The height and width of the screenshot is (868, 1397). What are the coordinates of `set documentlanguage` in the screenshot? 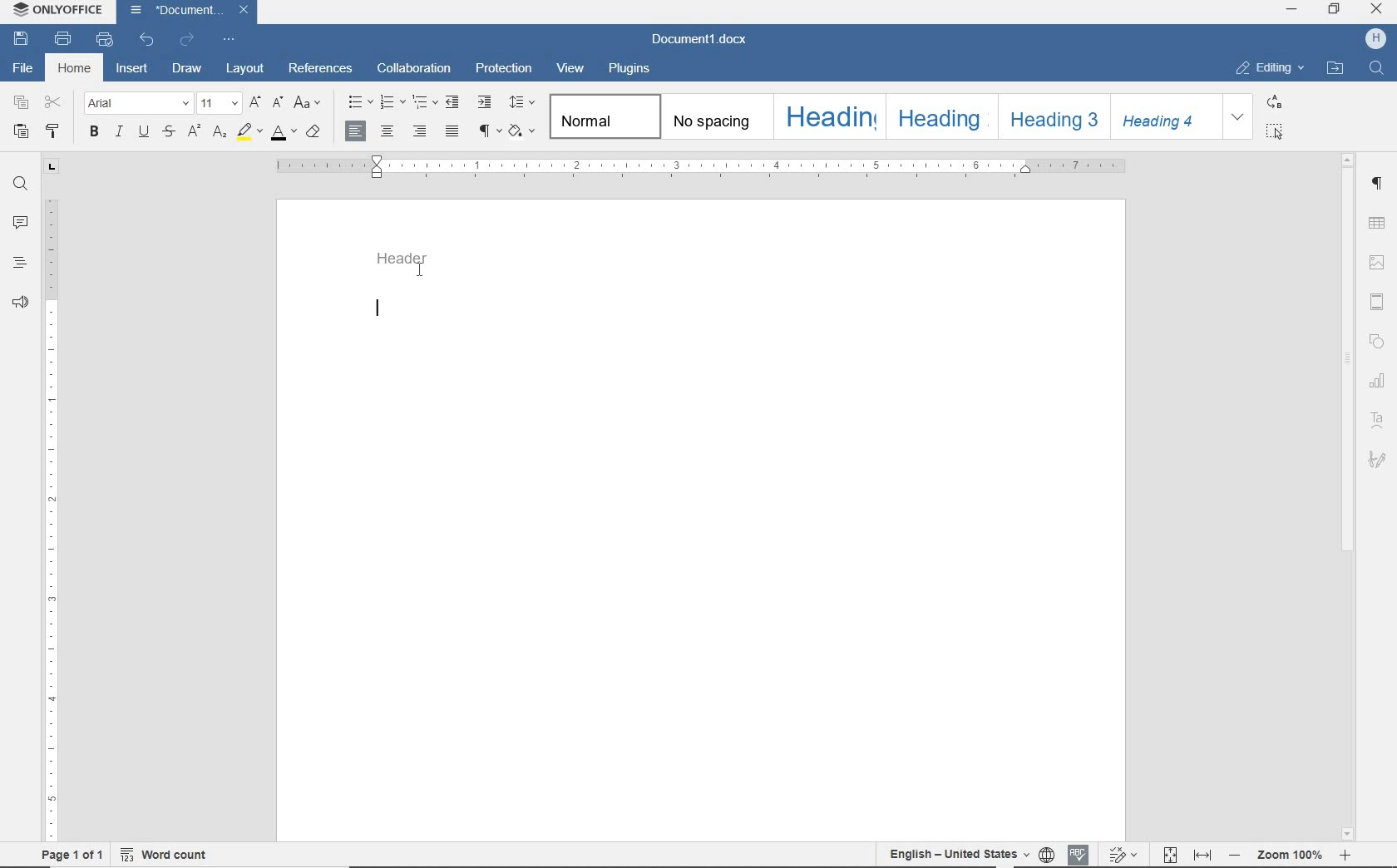 It's located at (1046, 854).